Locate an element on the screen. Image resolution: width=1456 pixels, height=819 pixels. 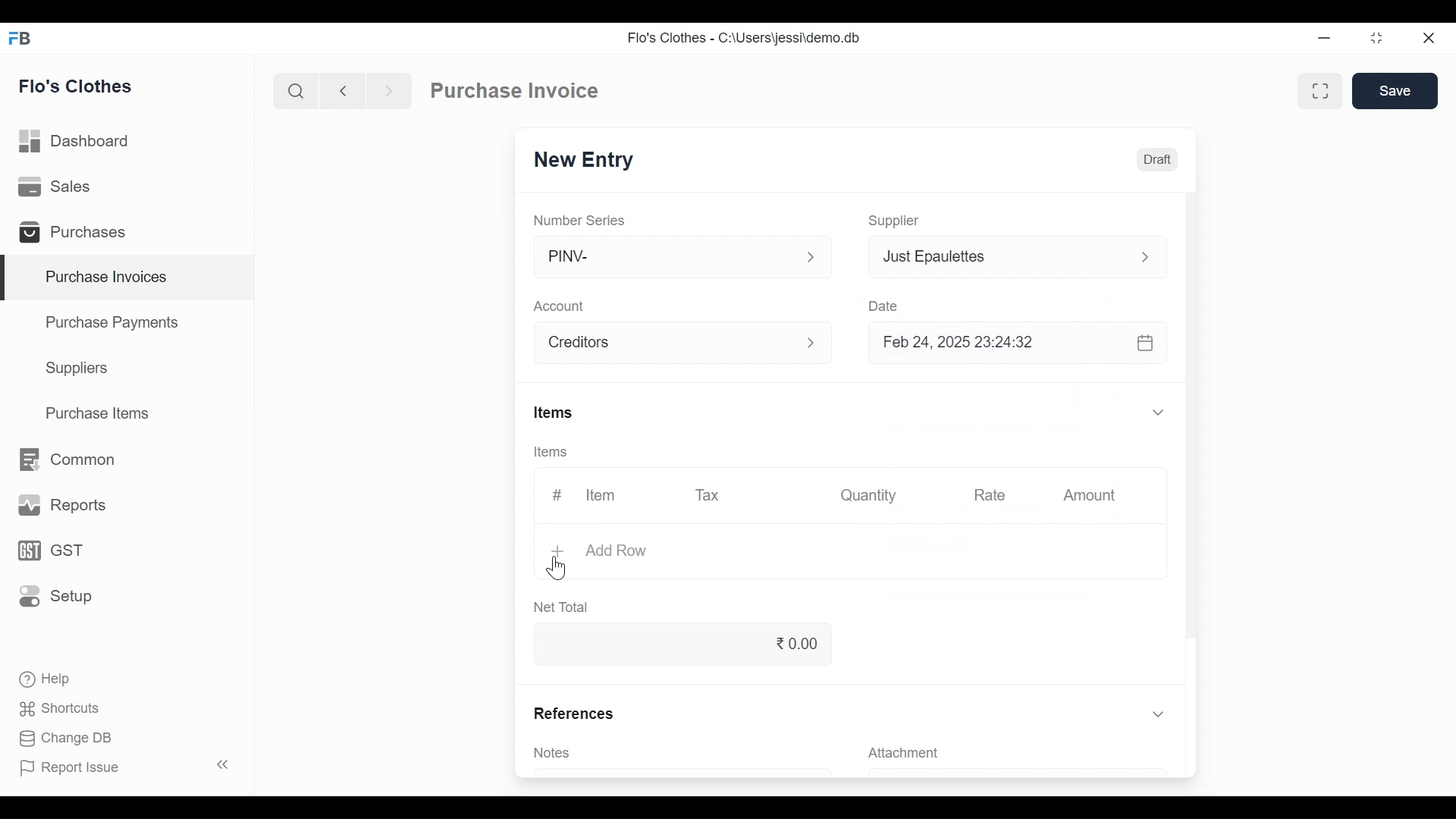
Notes is located at coordinates (556, 754).